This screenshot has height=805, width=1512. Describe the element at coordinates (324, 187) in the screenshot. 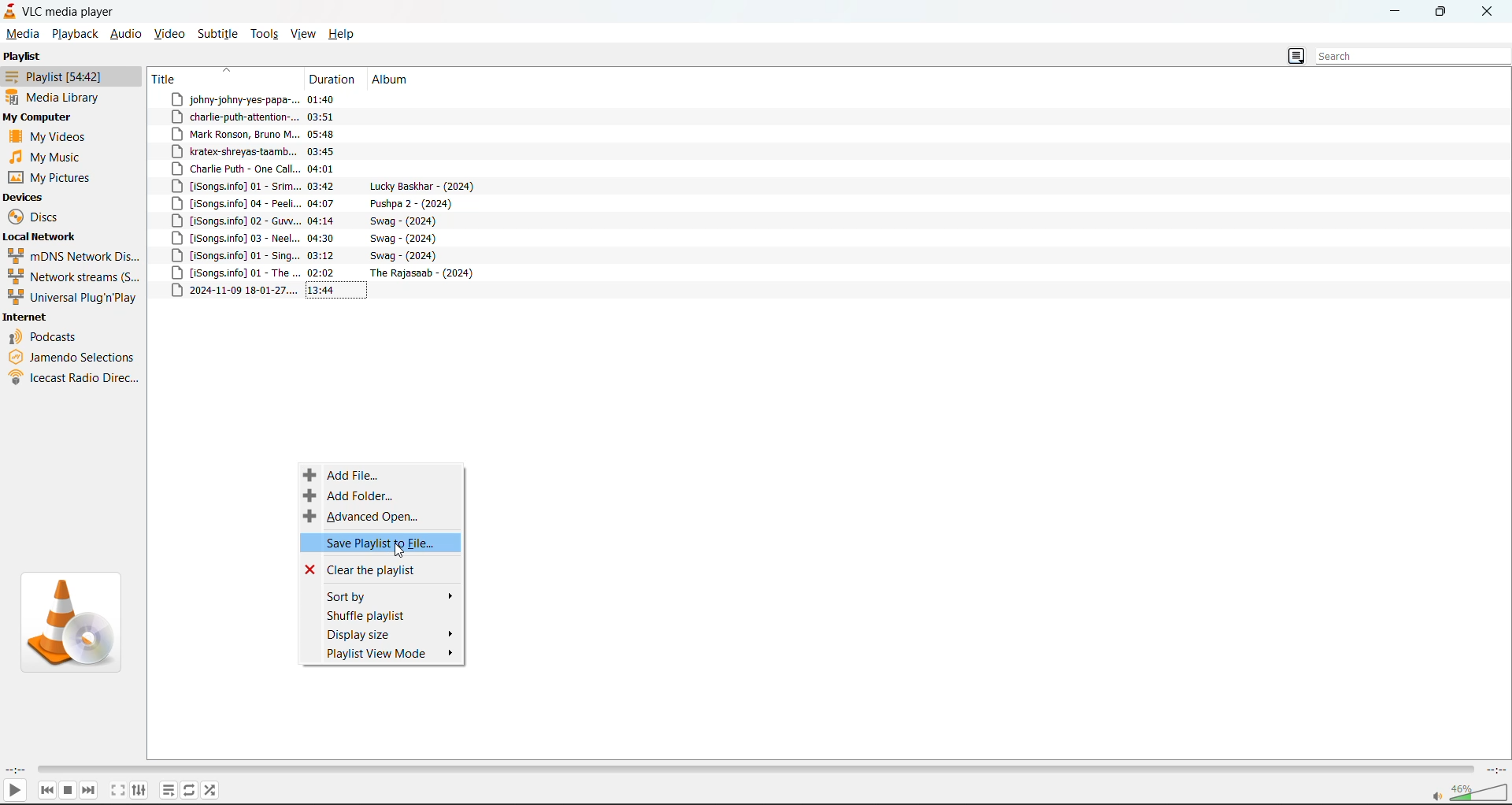

I see `track 6 title, duration and album details` at that location.